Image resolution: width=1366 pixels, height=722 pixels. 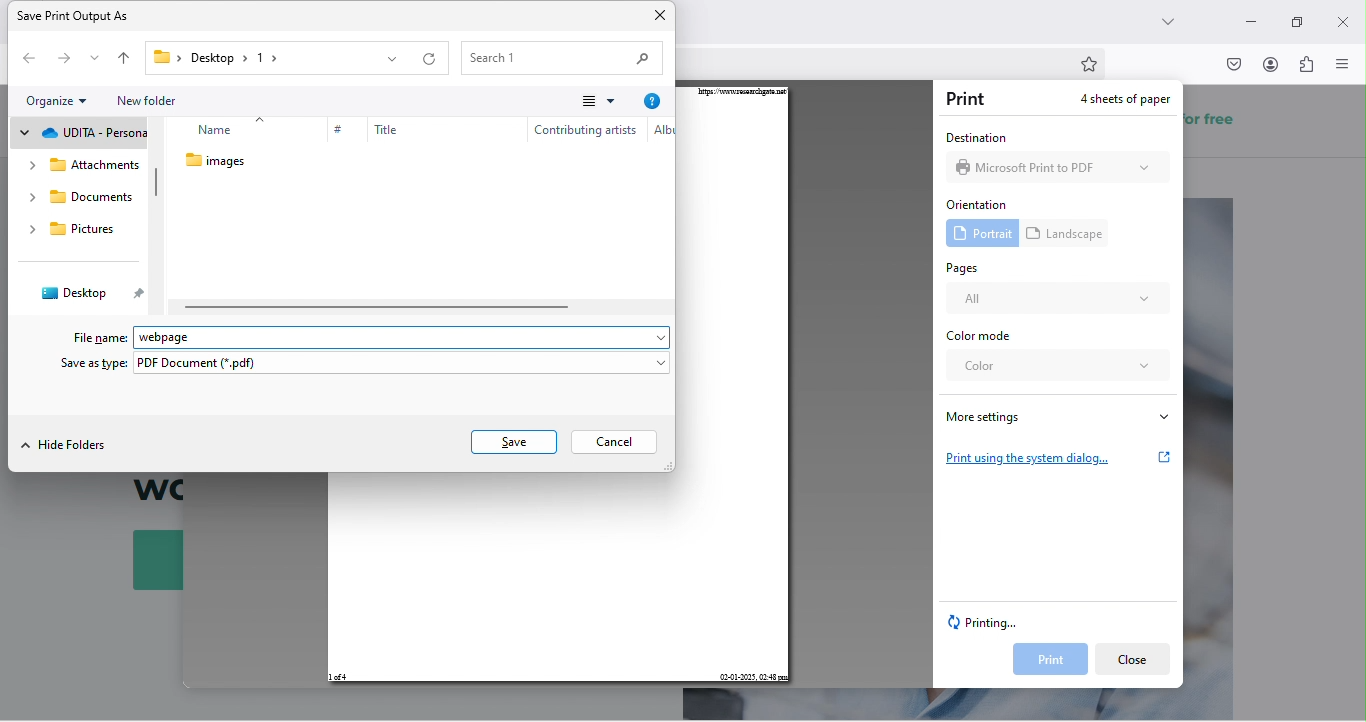 What do you see at coordinates (981, 203) in the screenshot?
I see `orientation` at bounding box center [981, 203].